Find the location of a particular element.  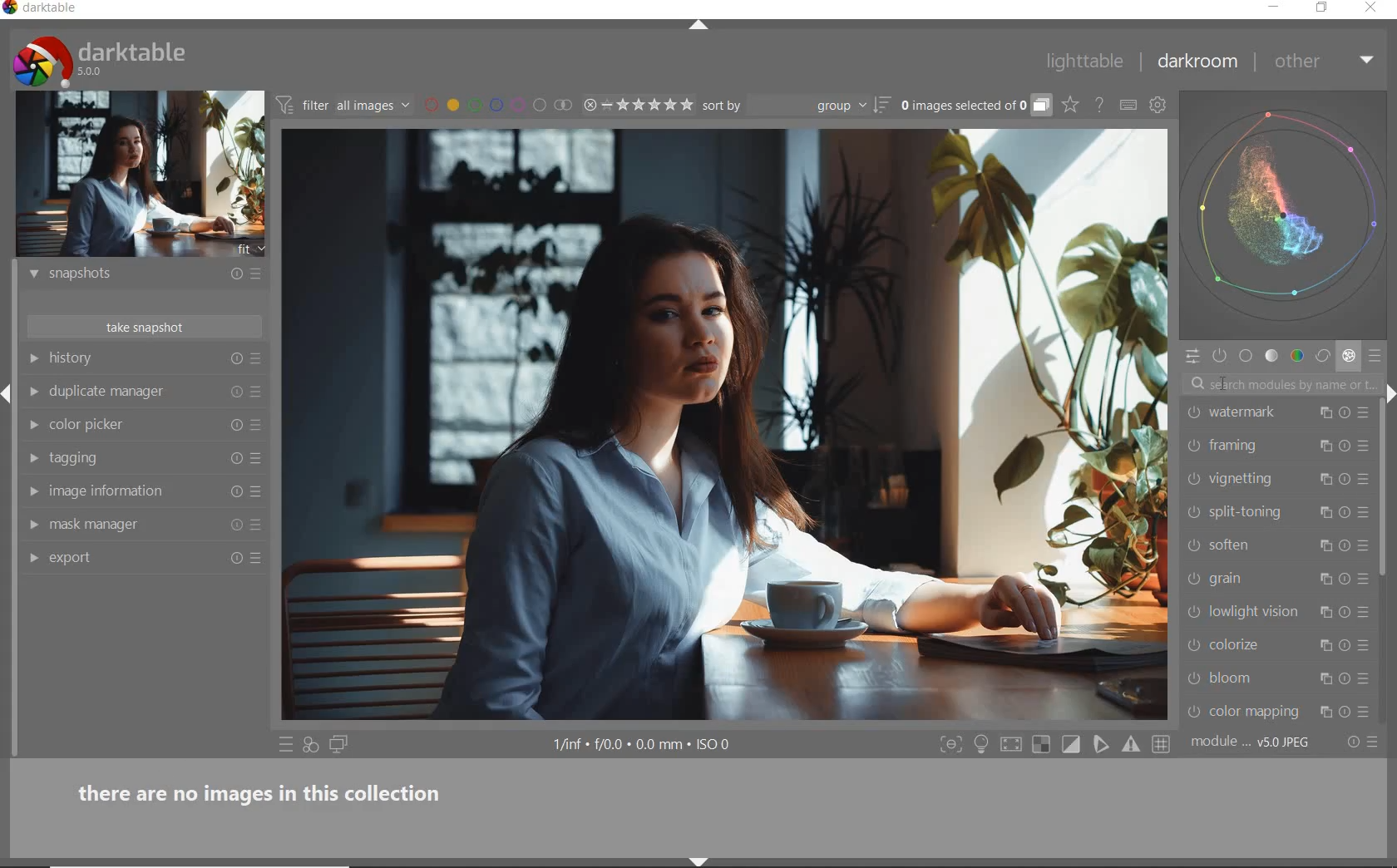

preset and preferences is located at coordinates (1365, 446).